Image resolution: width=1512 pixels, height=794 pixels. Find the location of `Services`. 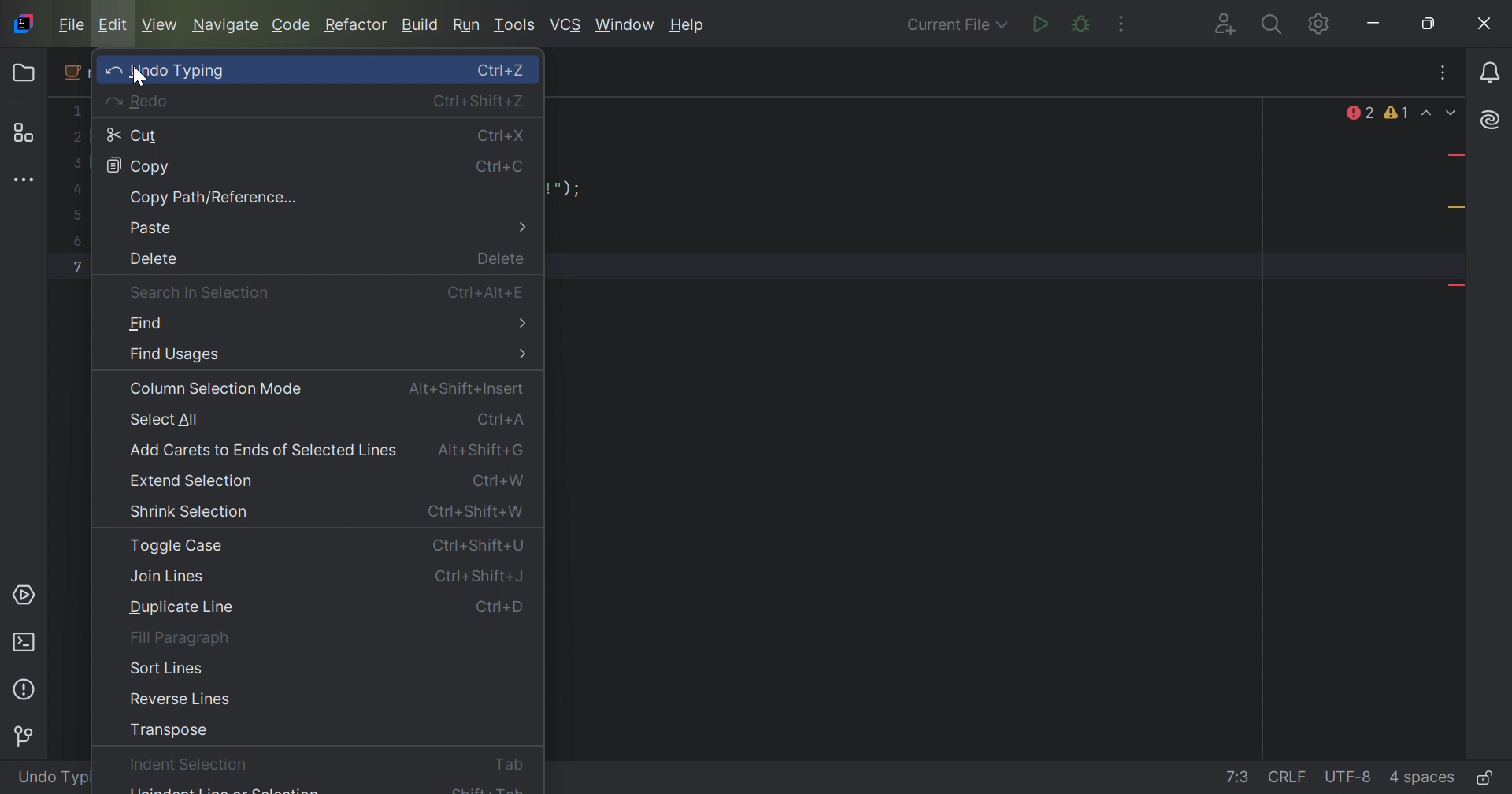

Services is located at coordinates (27, 595).